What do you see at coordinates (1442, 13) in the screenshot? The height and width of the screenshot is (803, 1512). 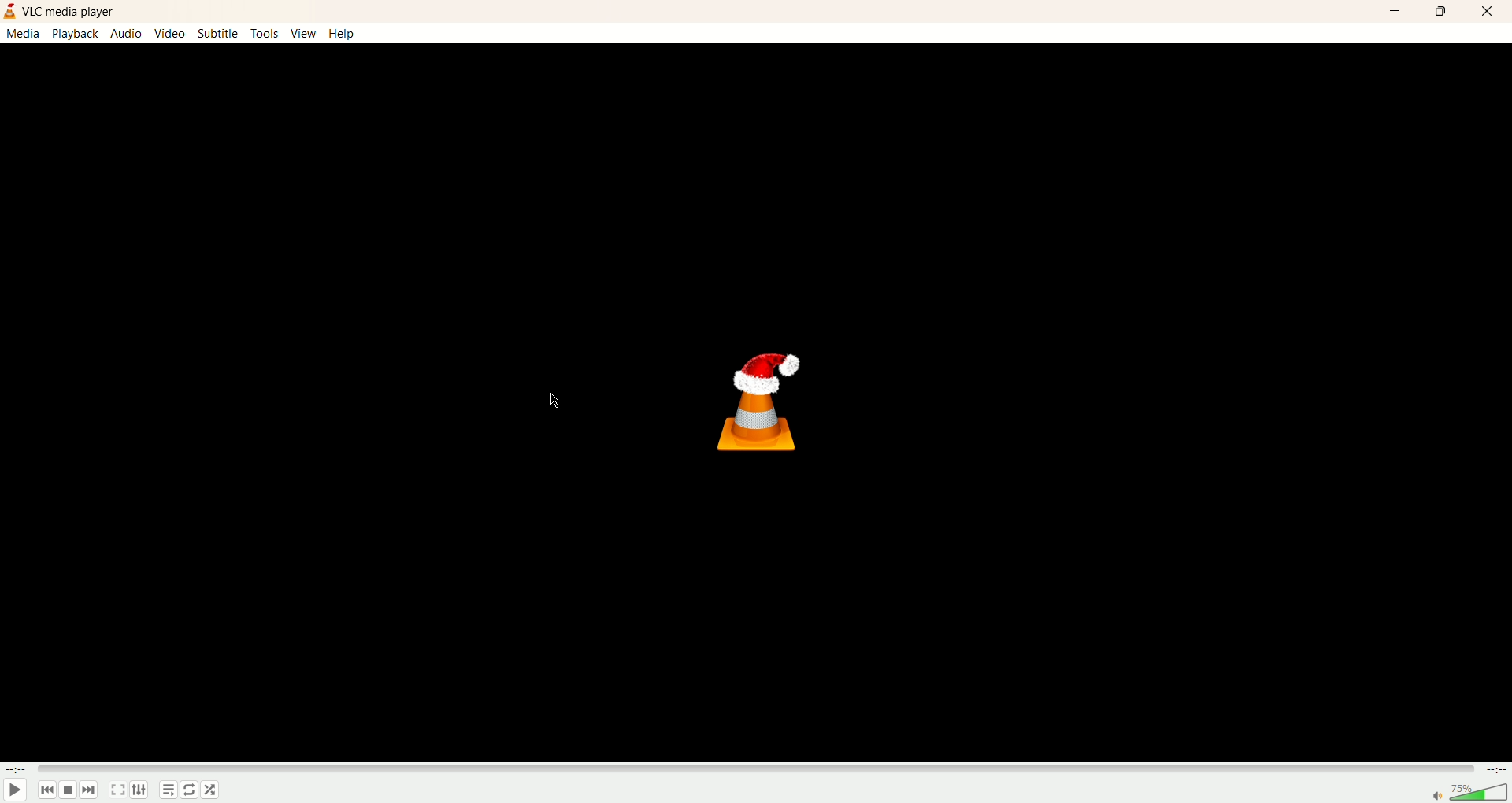 I see `maximize` at bounding box center [1442, 13].